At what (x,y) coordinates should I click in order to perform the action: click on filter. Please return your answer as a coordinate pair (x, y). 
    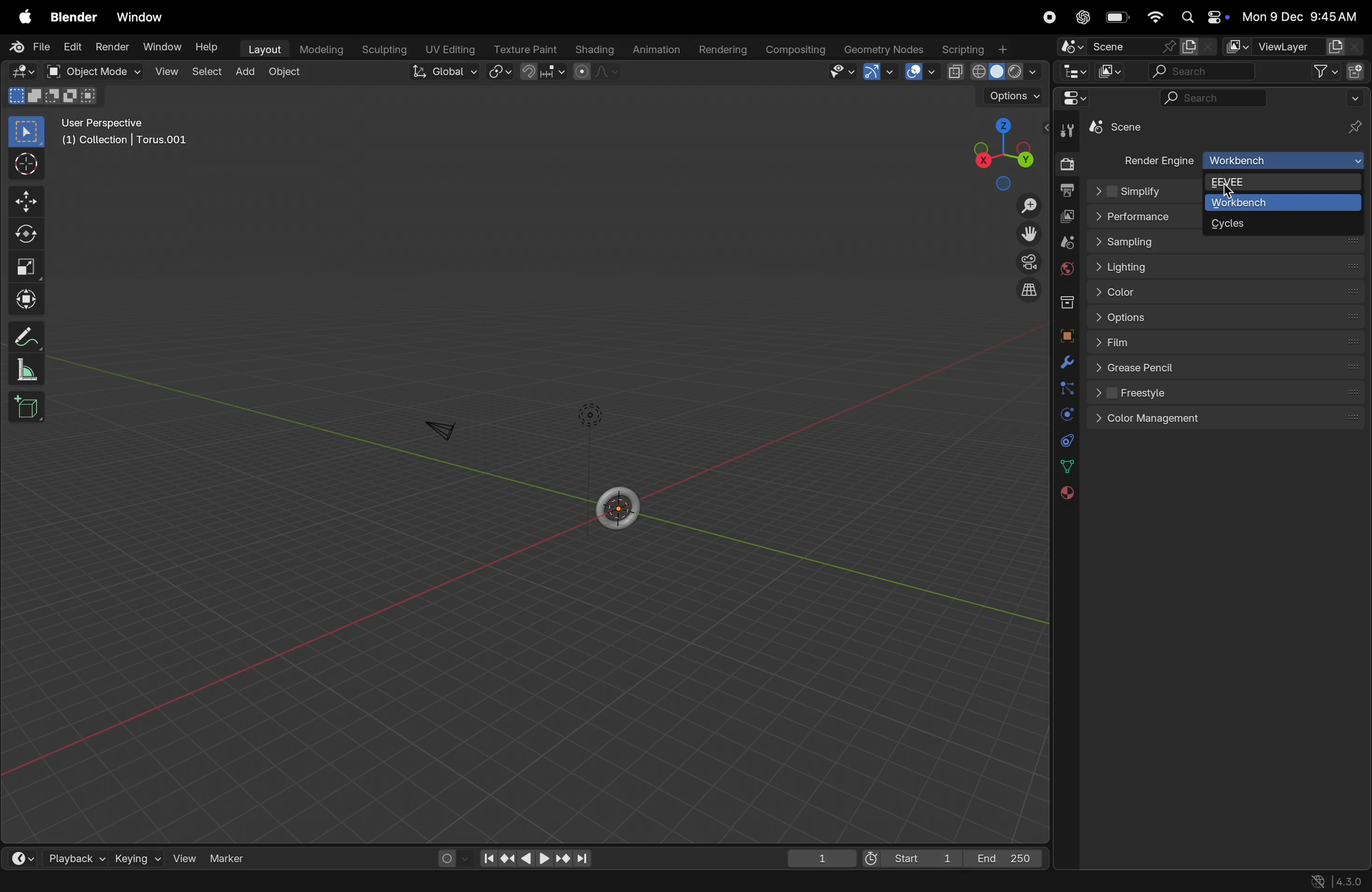
    Looking at the image, I should click on (1324, 71).